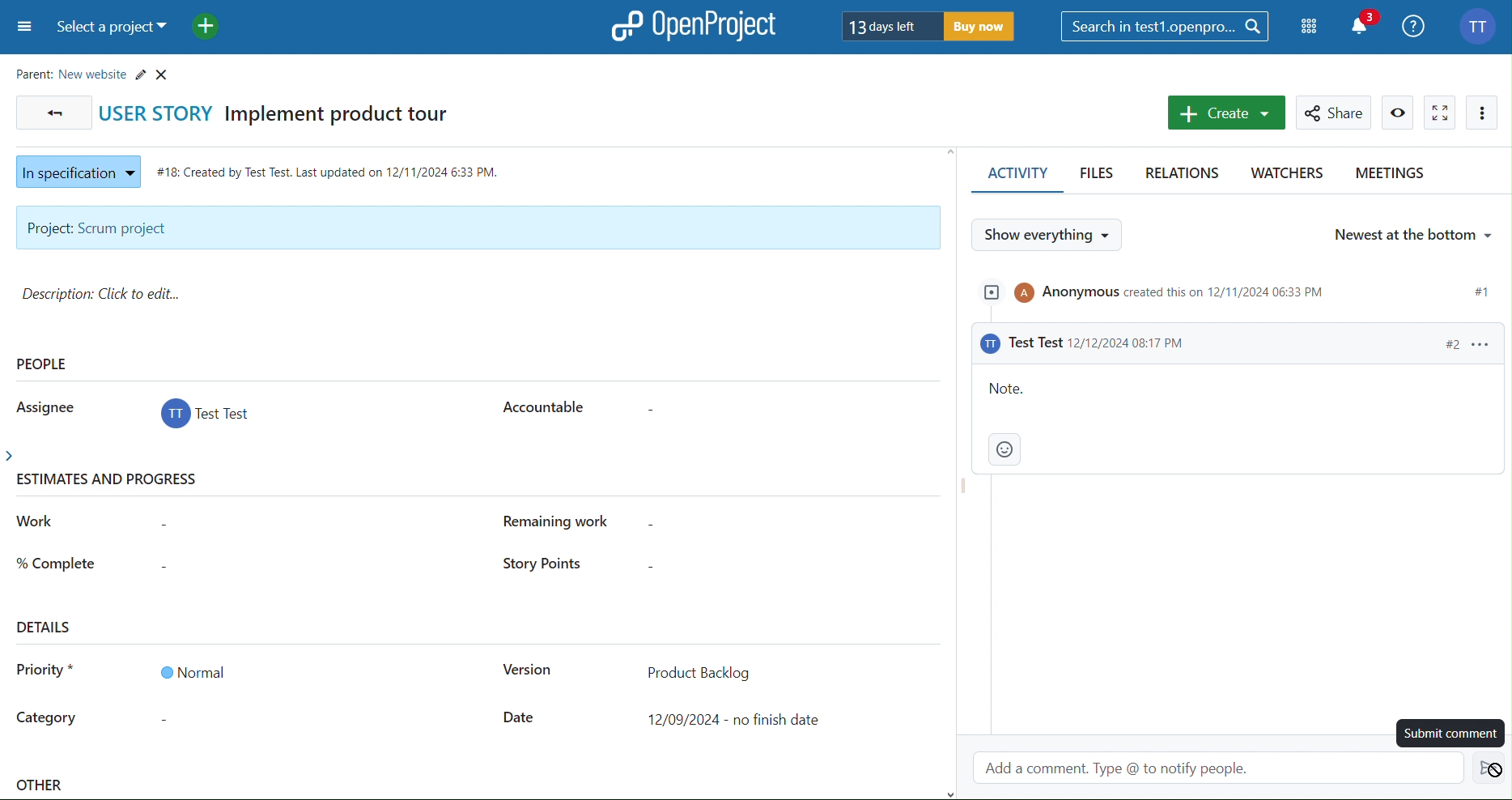 The width and height of the screenshot is (1512, 800). What do you see at coordinates (107, 294) in the screenshot?
I see `Description` at bounding box center [107, 294].